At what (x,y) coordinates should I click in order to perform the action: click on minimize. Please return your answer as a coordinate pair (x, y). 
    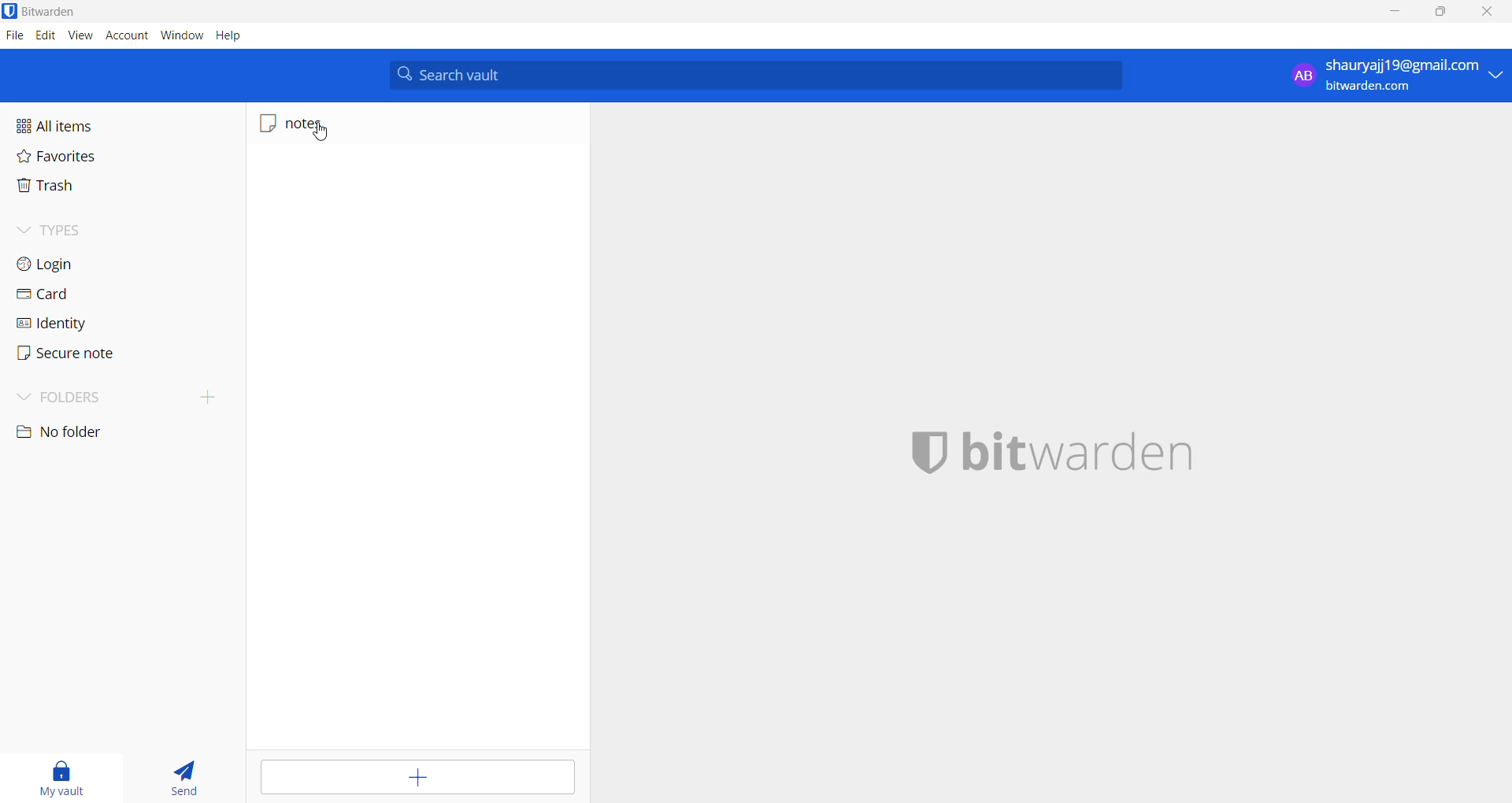
    Looking at the image, I should click on (1391, 13).